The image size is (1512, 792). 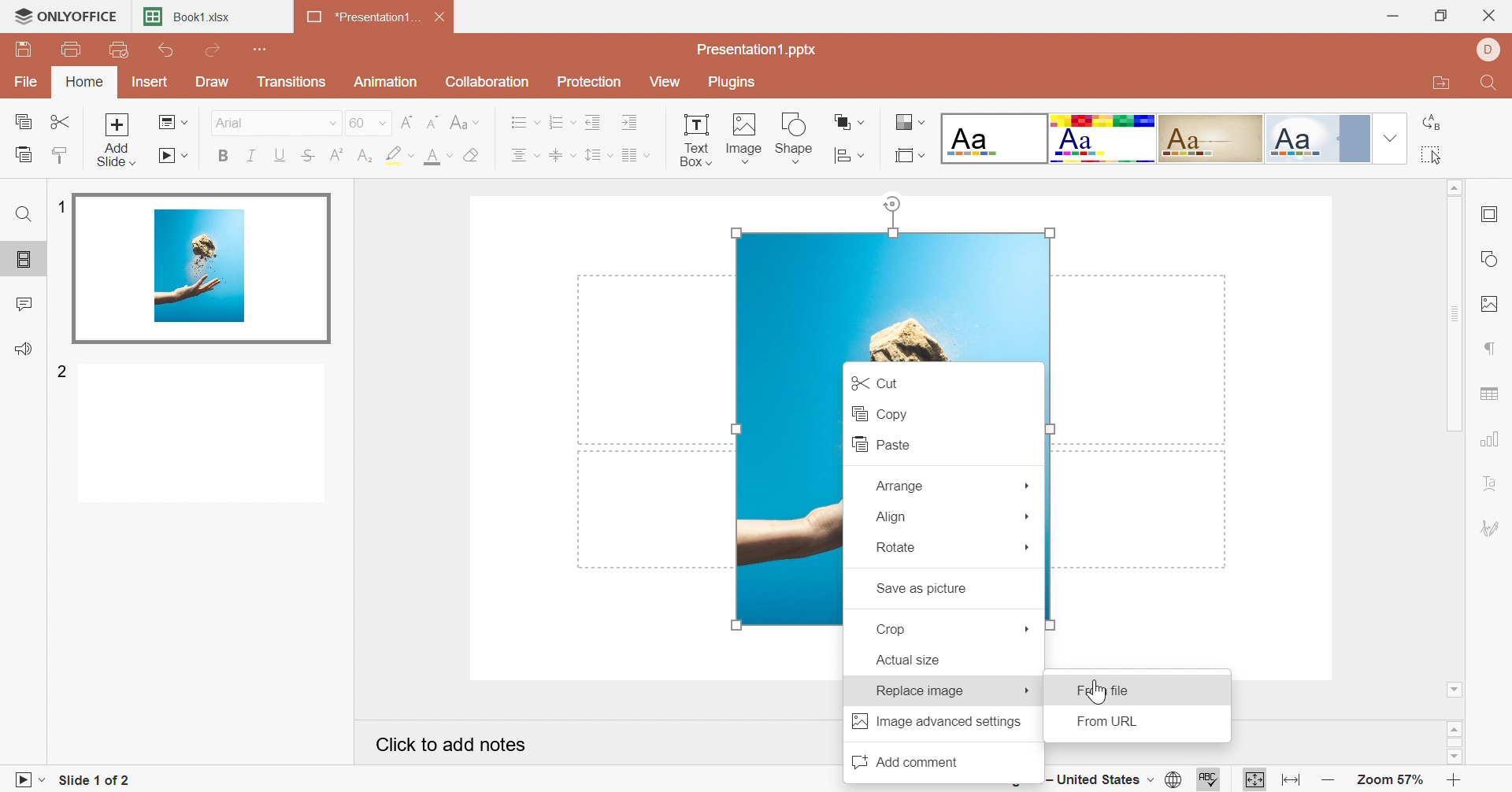 What do you see at coordinates (365, 17) in the screenshot?
I see `*Presentation1...` at bounding box center [365, 17].